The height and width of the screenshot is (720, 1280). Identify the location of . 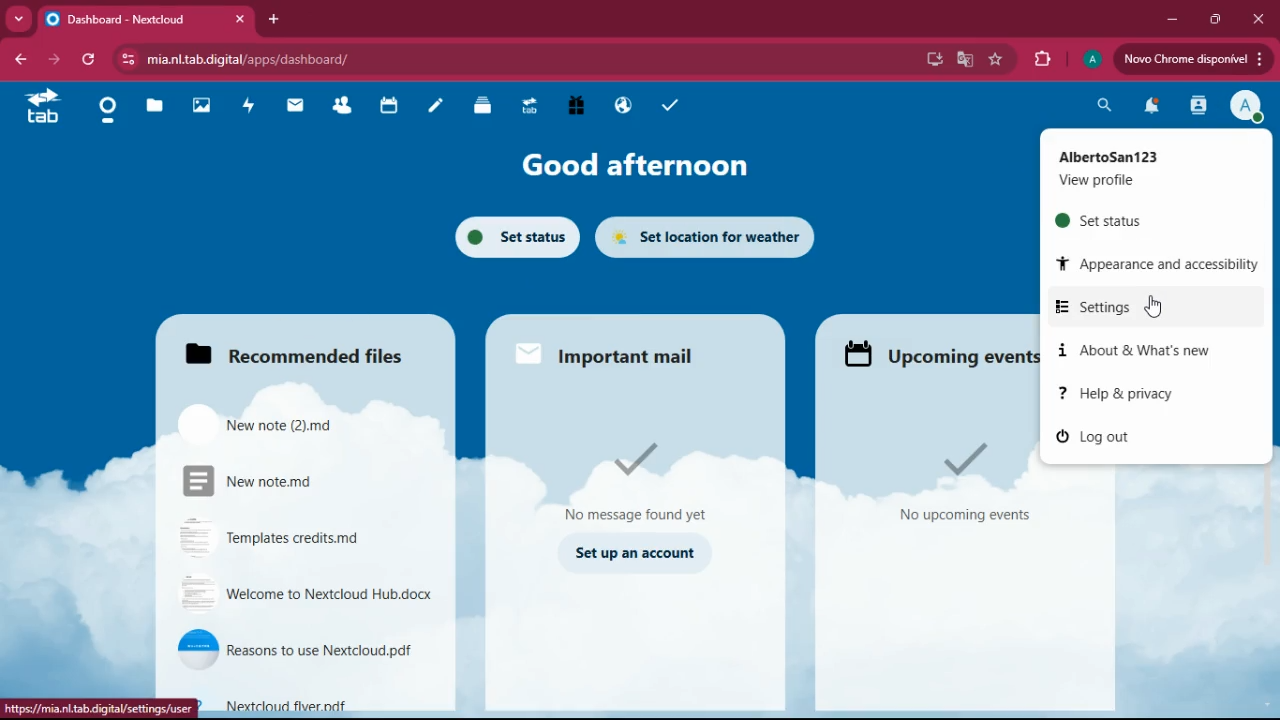
(273, 19).